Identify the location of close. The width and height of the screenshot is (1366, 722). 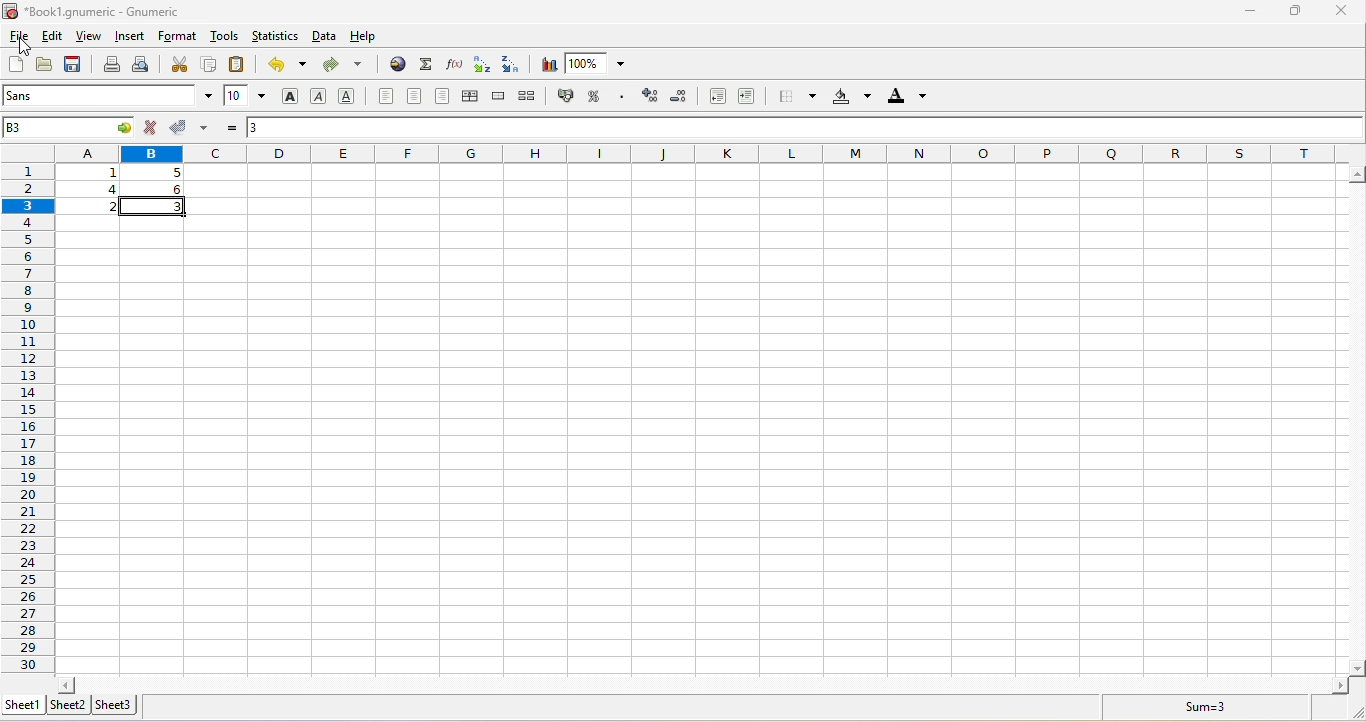
(1340, 11).